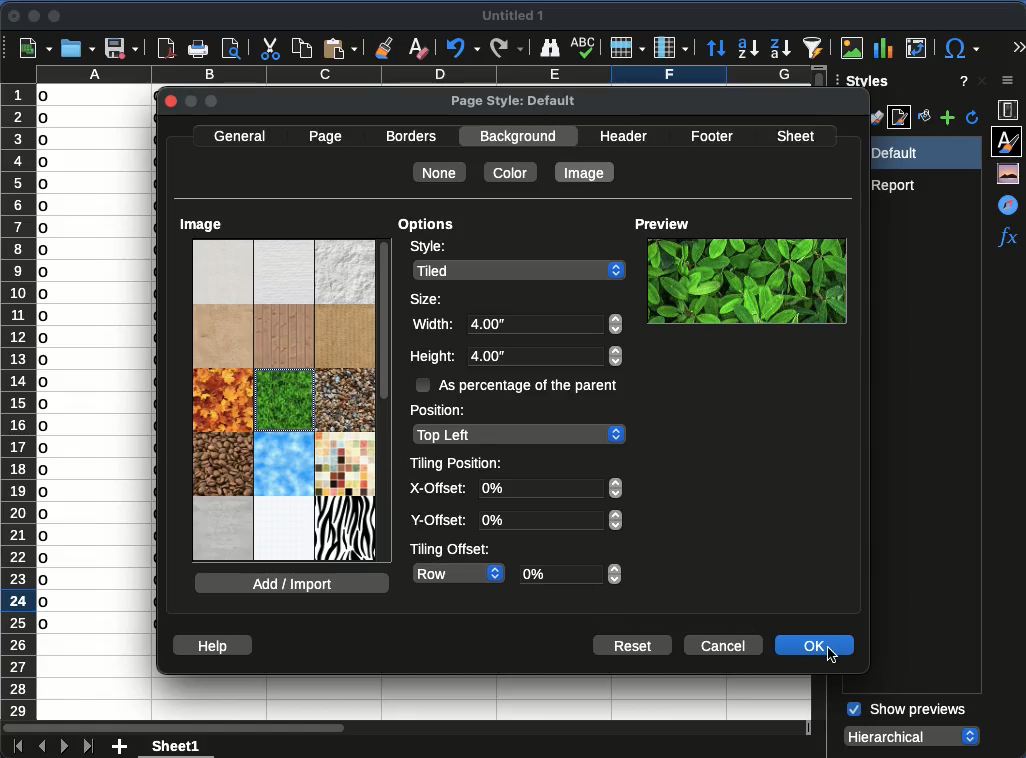  What do you see at coordinates (852, 47) in the screenshot?
I see `image` at bounding box center [852, 47].